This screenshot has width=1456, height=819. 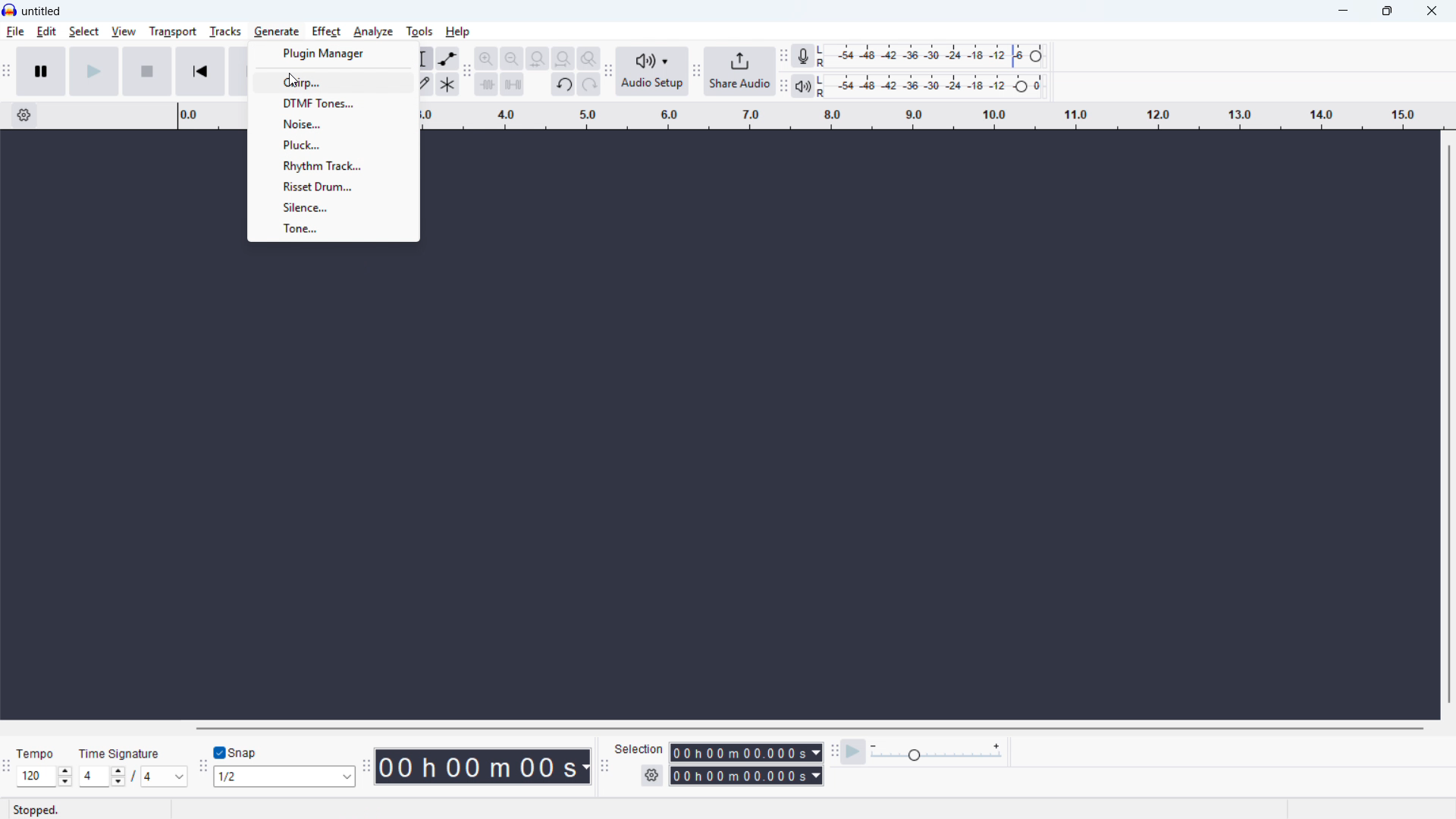 What do you see at coordinates (459, 31) in the screenshot?
I see `help ` at bounding box center [459, 31].